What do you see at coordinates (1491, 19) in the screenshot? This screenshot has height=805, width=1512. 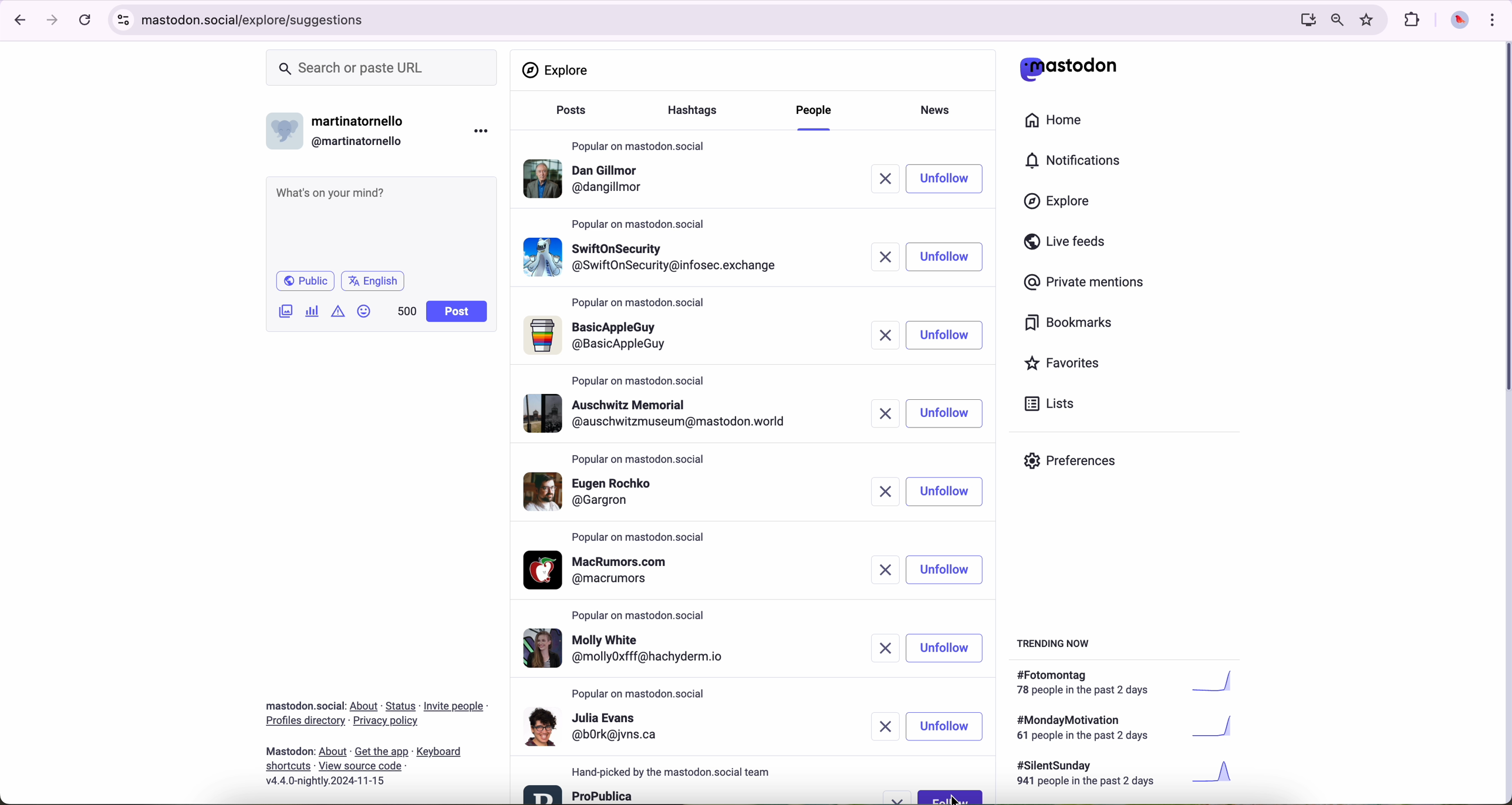 I see `customize and control Google Chrome` at bounding box center [1491, 19].